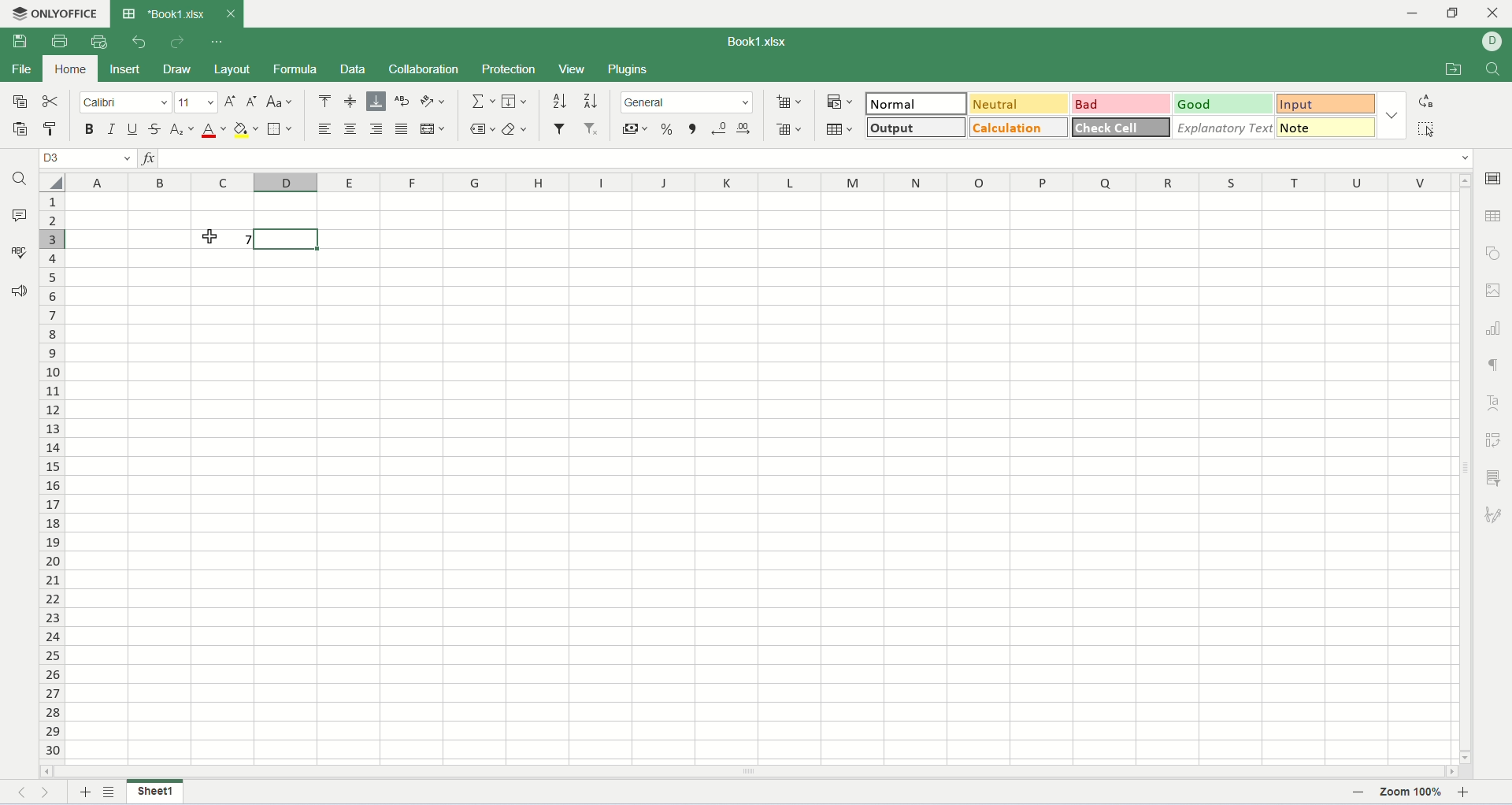  I want to click on check cell, so click(1122, 127).